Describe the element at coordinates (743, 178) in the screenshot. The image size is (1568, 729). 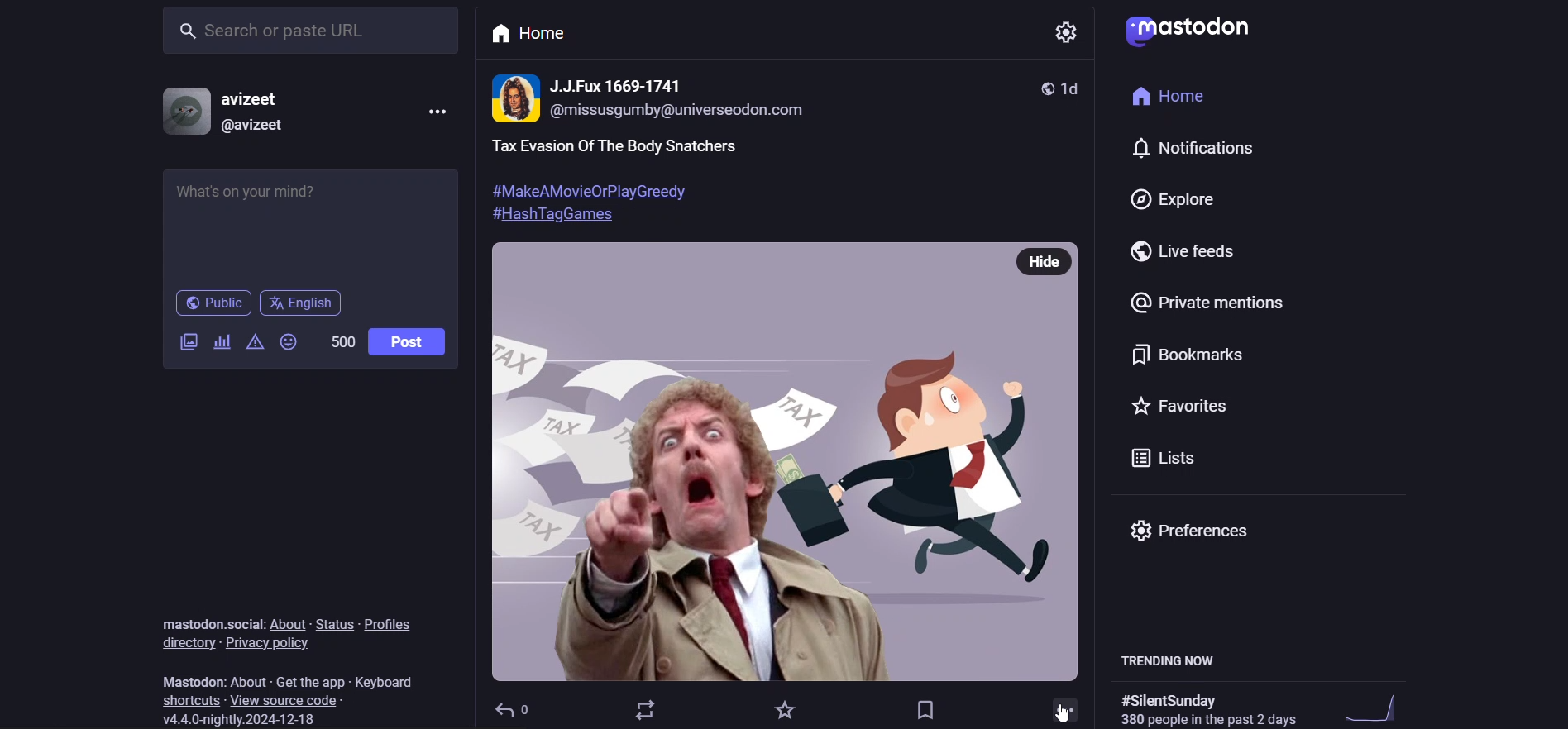
I see `post` at that location.